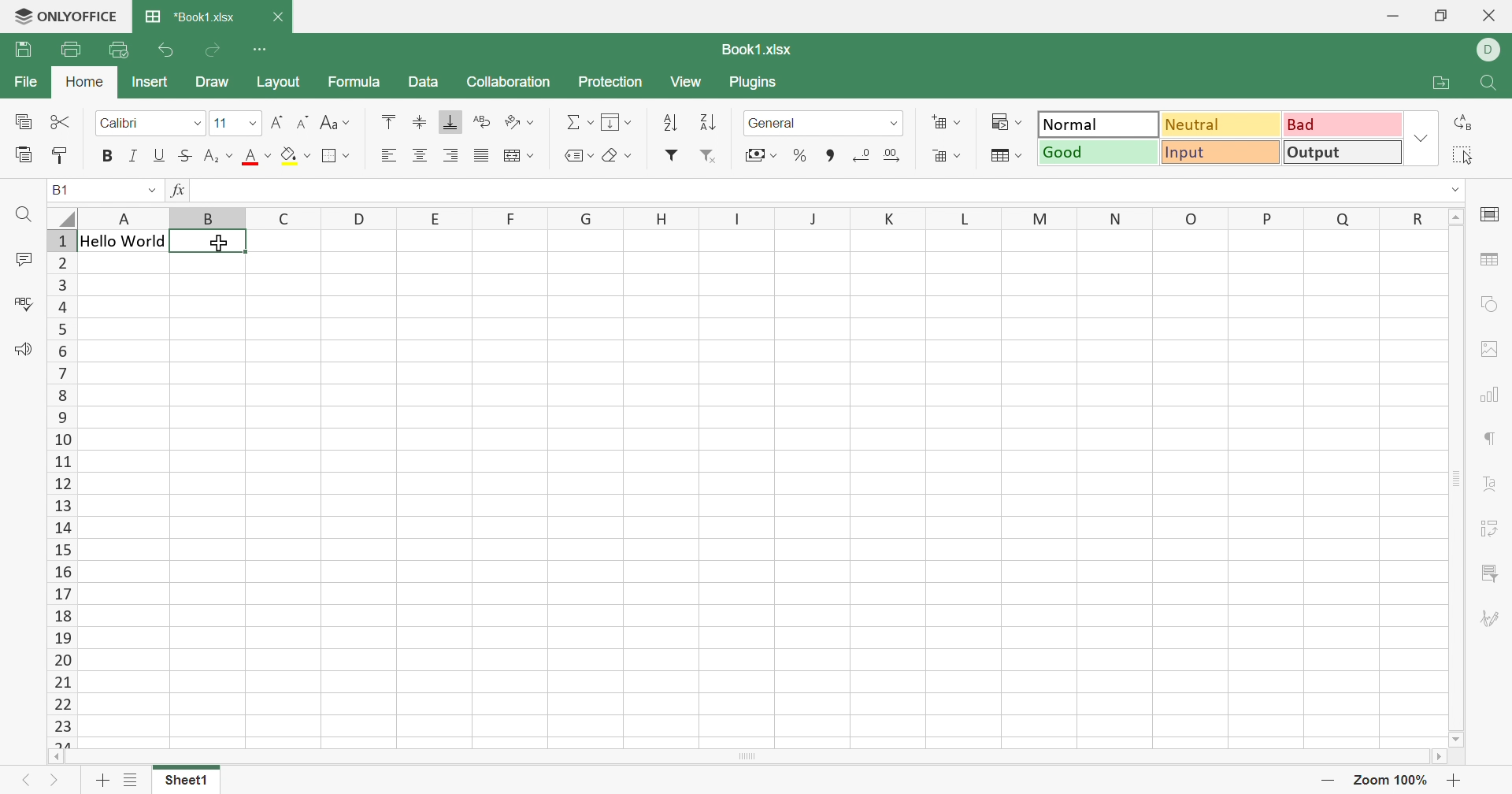  I want to click on Minimize, so click(1392, 17).